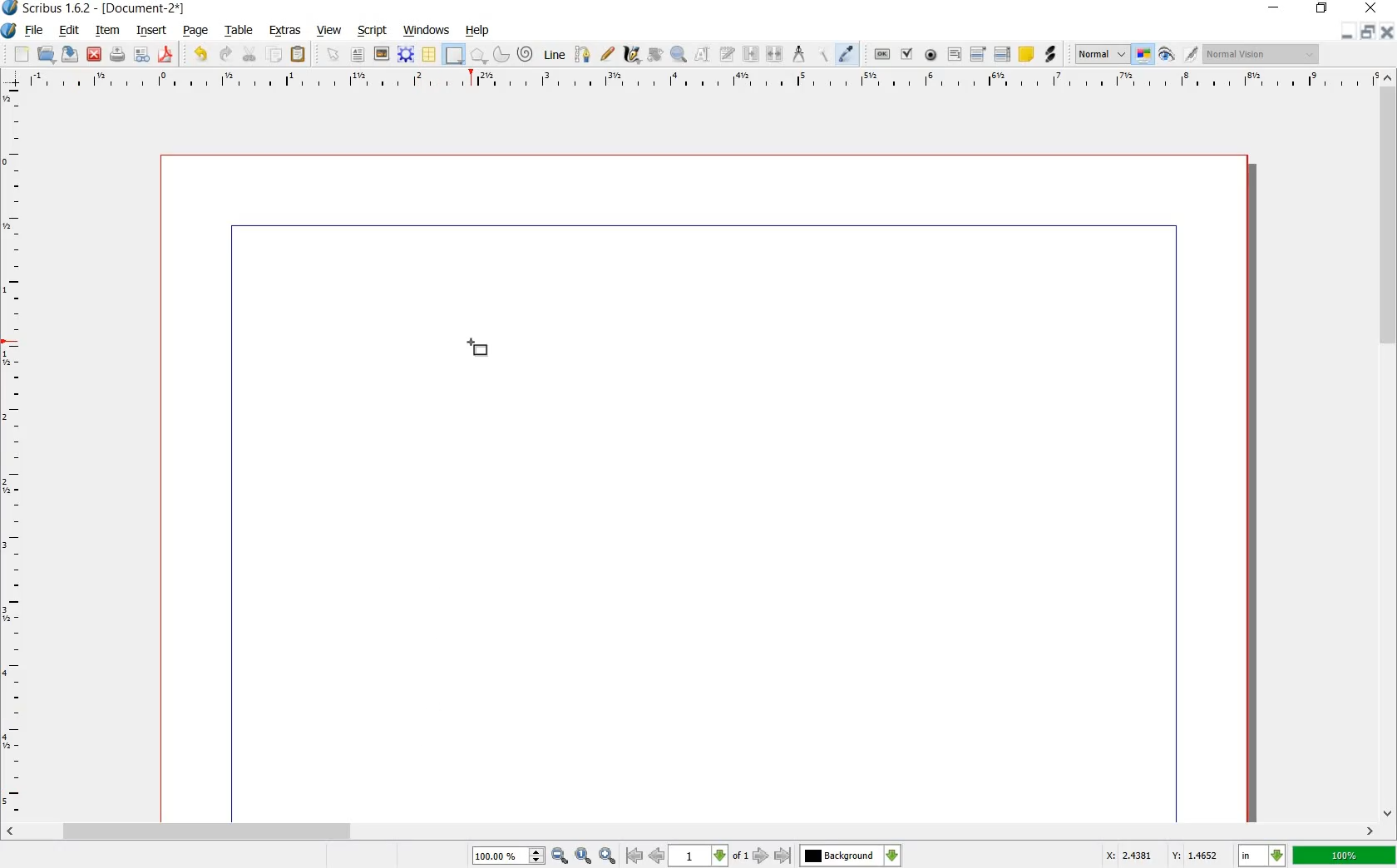 The width and height of the screenshot is (1397, 868). What do you see at coordinates (763, 856) in the screenshot?
I see `go to next page` at bounding box center [763, 856].